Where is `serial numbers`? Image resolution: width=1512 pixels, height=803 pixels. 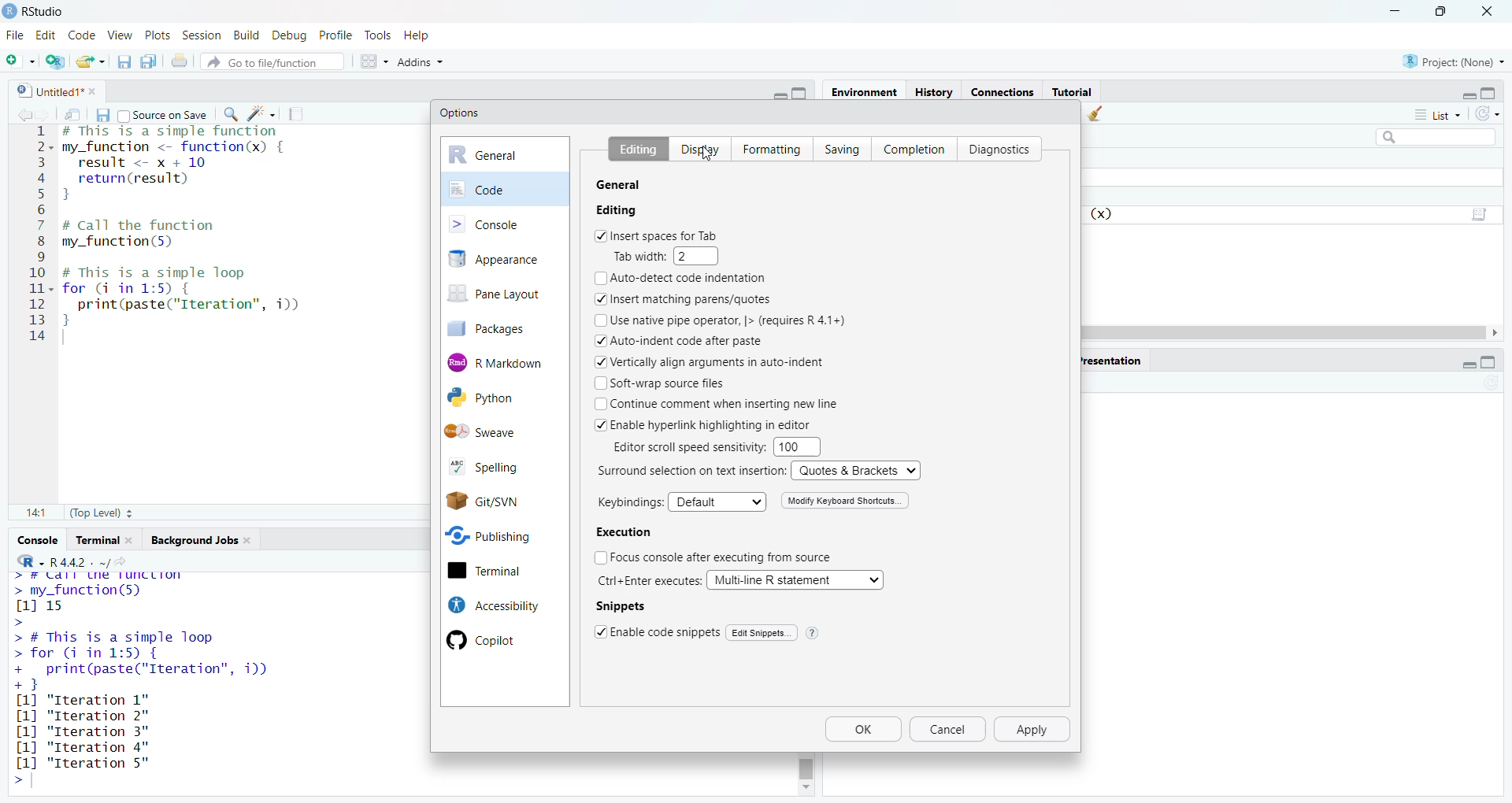
serial numbers is located at coordinates (38, 237).